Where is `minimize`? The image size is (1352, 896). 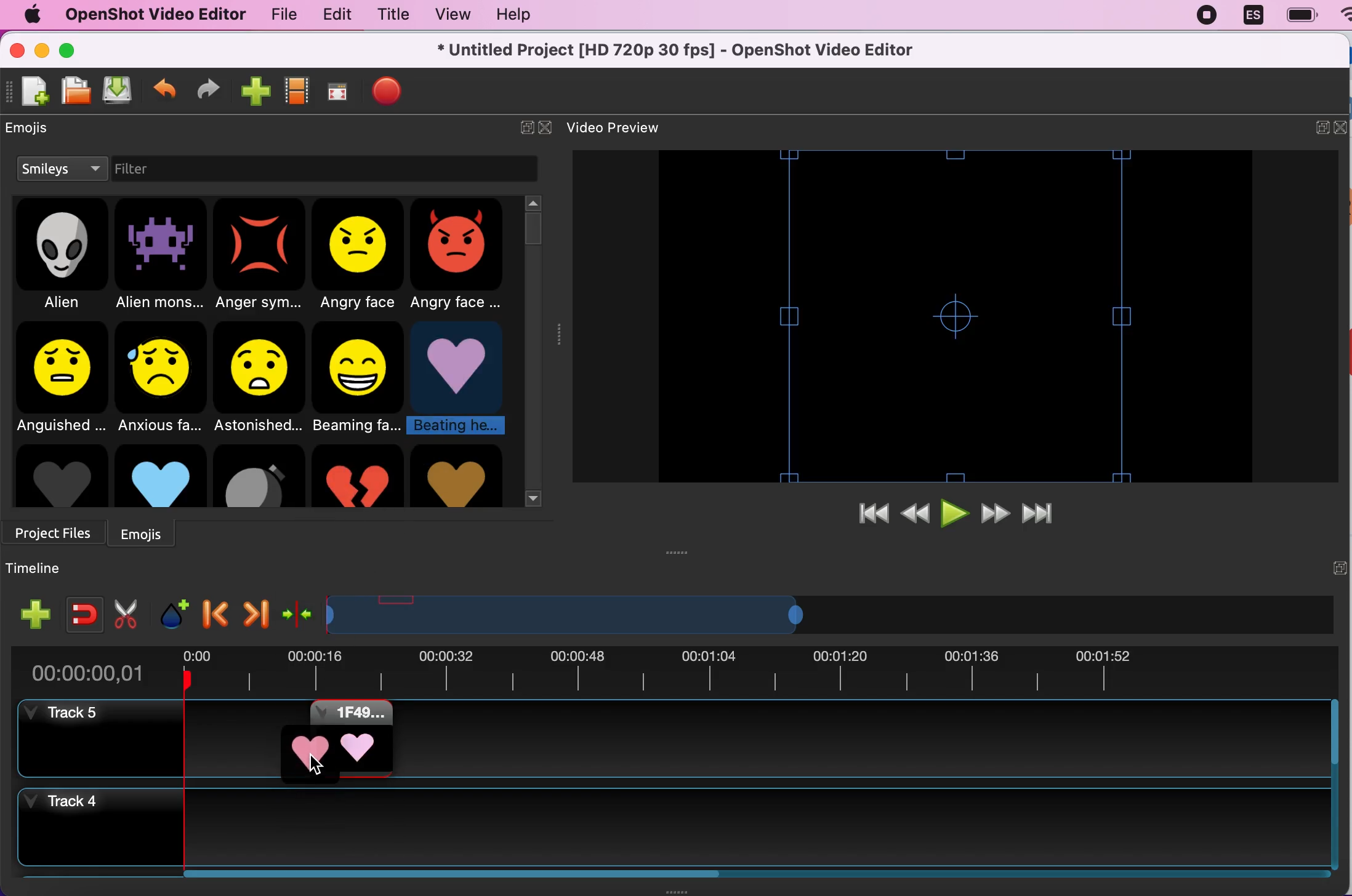
minimize is located at coordinates (43, 52).